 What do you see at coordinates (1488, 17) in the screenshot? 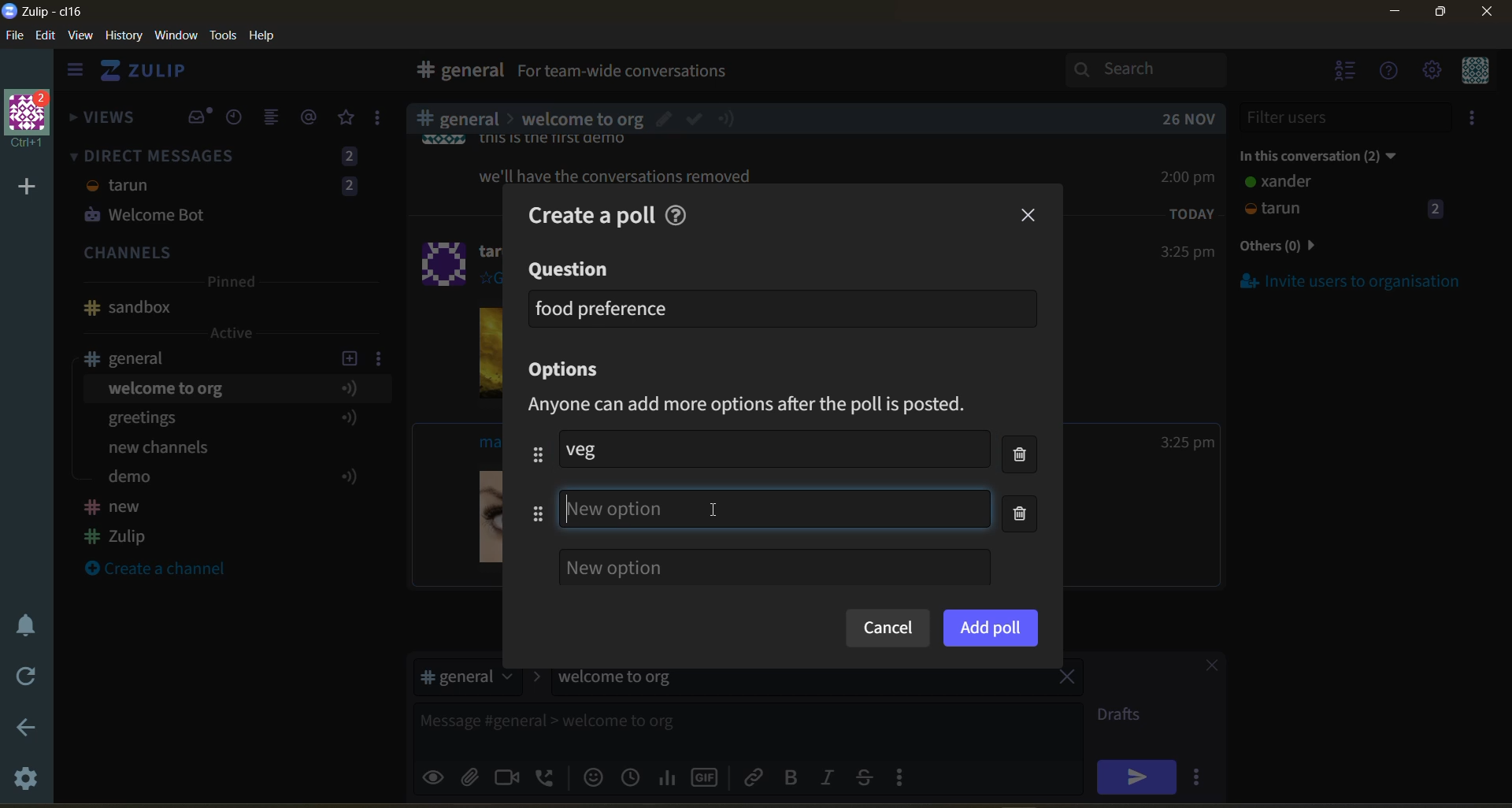
I see `close` at bounding box center [1488, 17].